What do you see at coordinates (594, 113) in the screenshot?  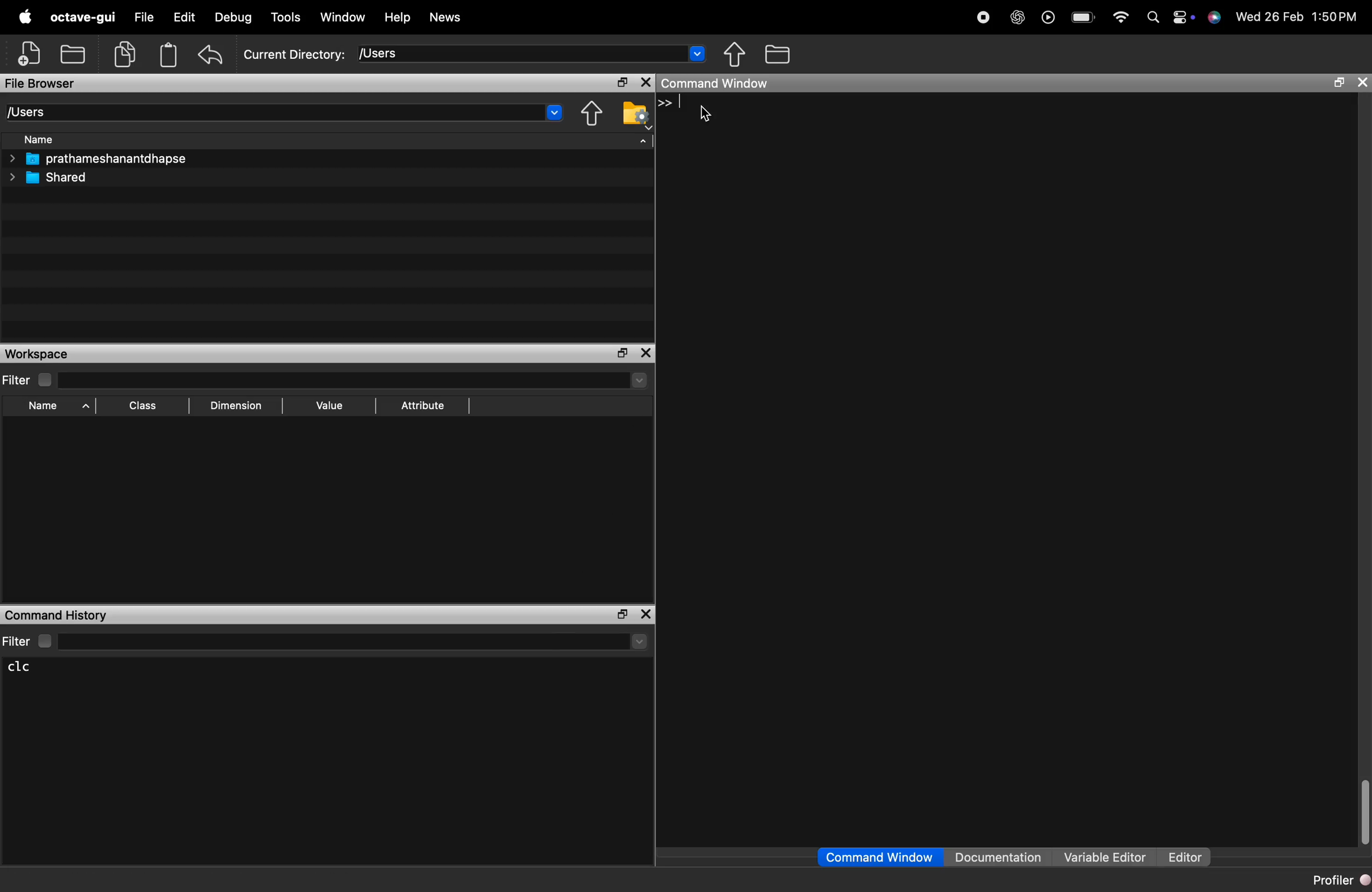 I see `one directory up` at bounding box center [594, 113].